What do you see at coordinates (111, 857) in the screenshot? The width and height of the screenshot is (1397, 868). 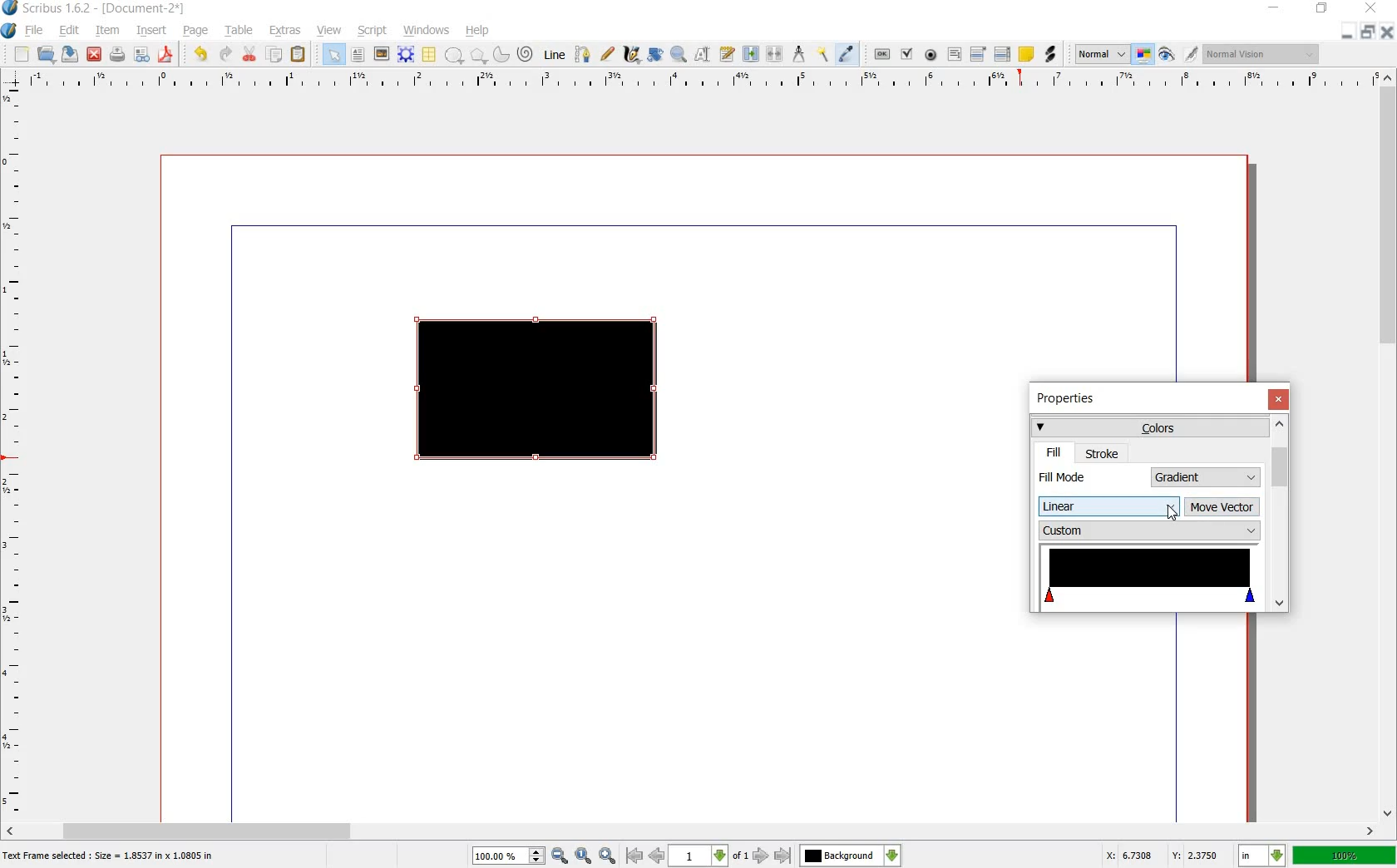 I see `text frame selected : size = 1.8537 in x 1.0805 in` at bounding box center [111, 857].